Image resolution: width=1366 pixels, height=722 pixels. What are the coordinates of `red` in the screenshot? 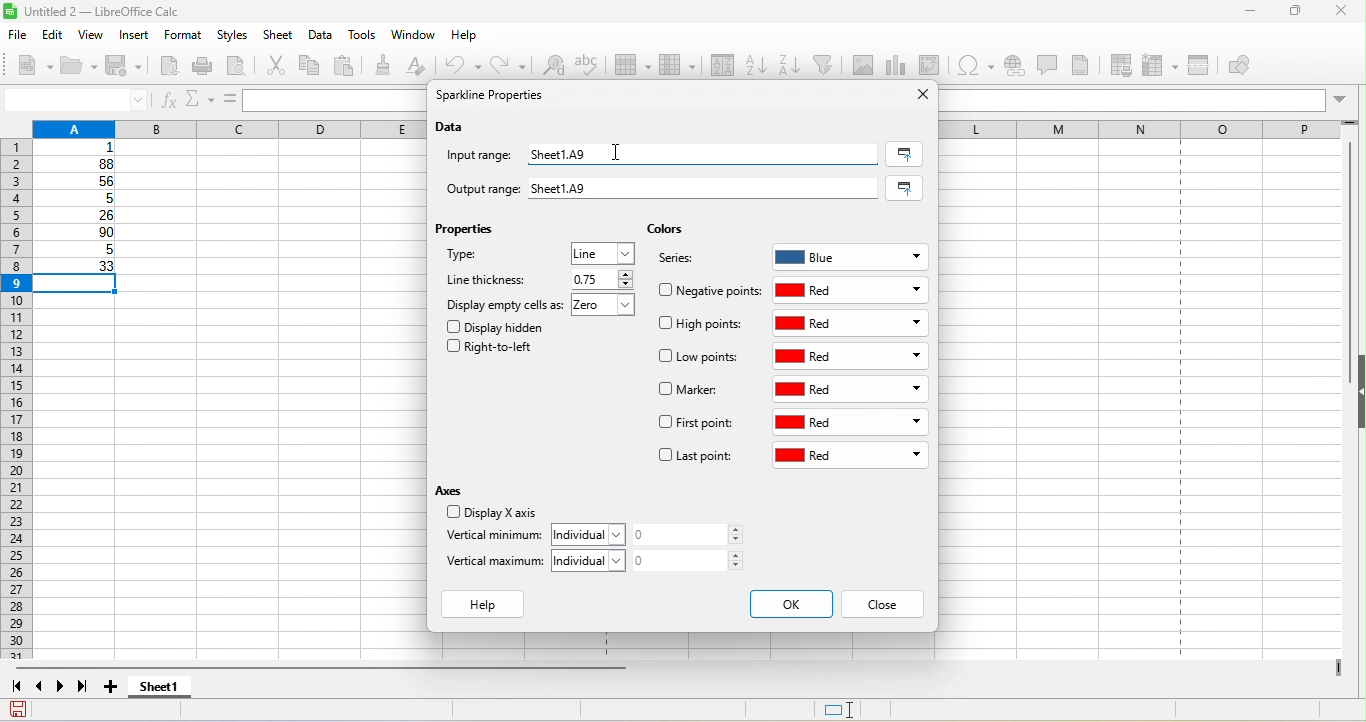 It's located at (853, 290).